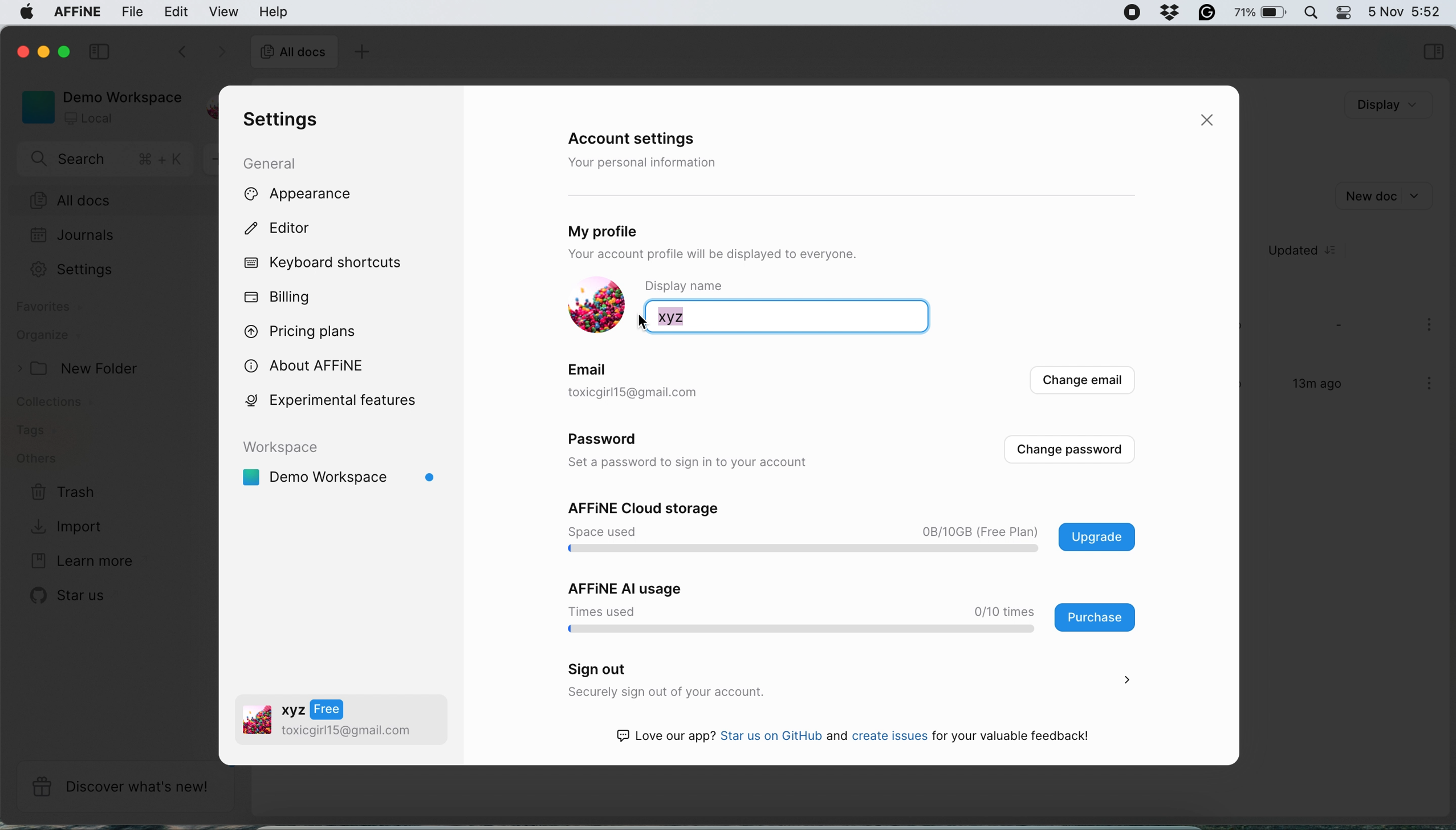  Describe the element at coordinates (654, 393) in the screenshot. I see `toxicgirl1S@gmail.com` at that location.